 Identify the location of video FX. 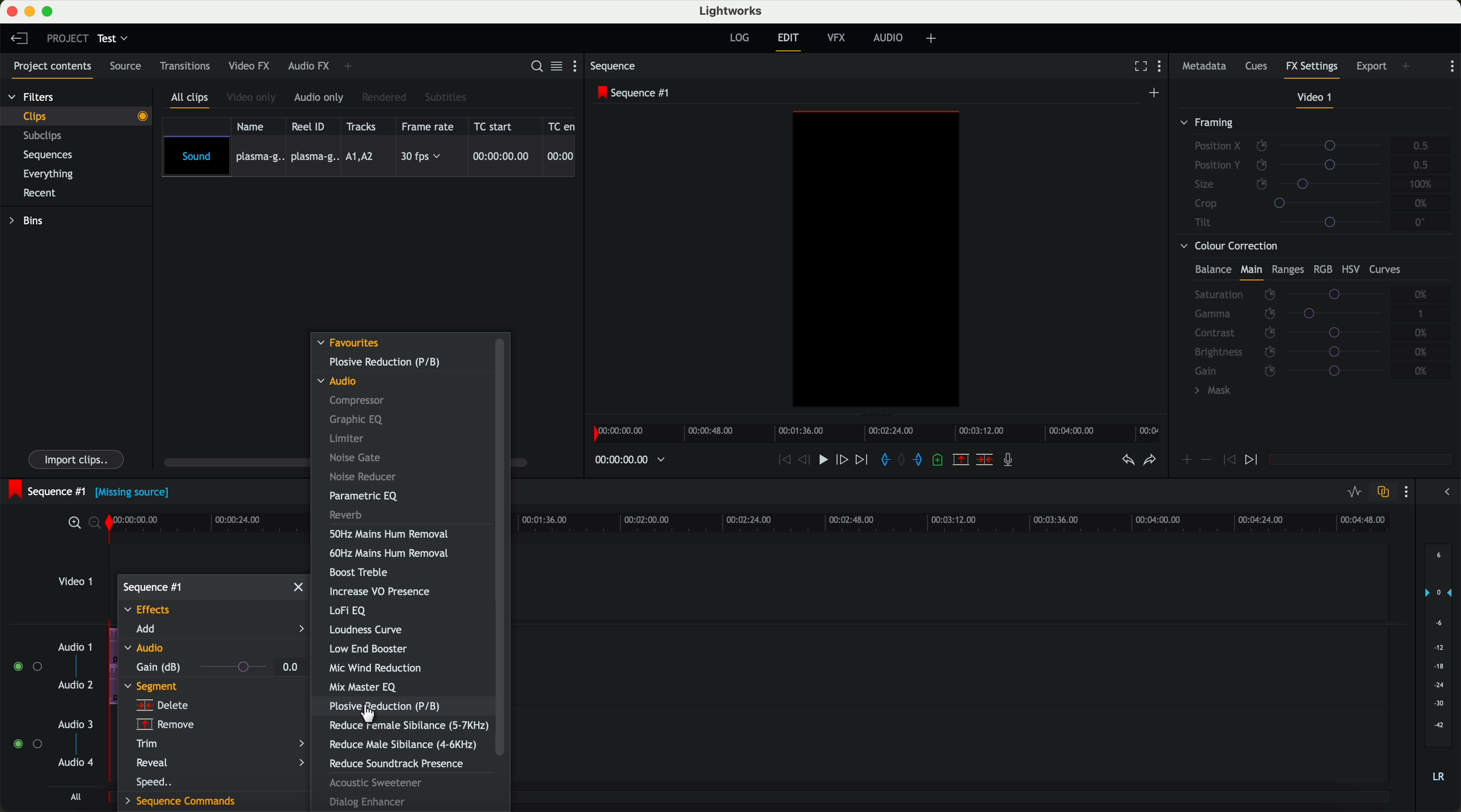
(248, 67).